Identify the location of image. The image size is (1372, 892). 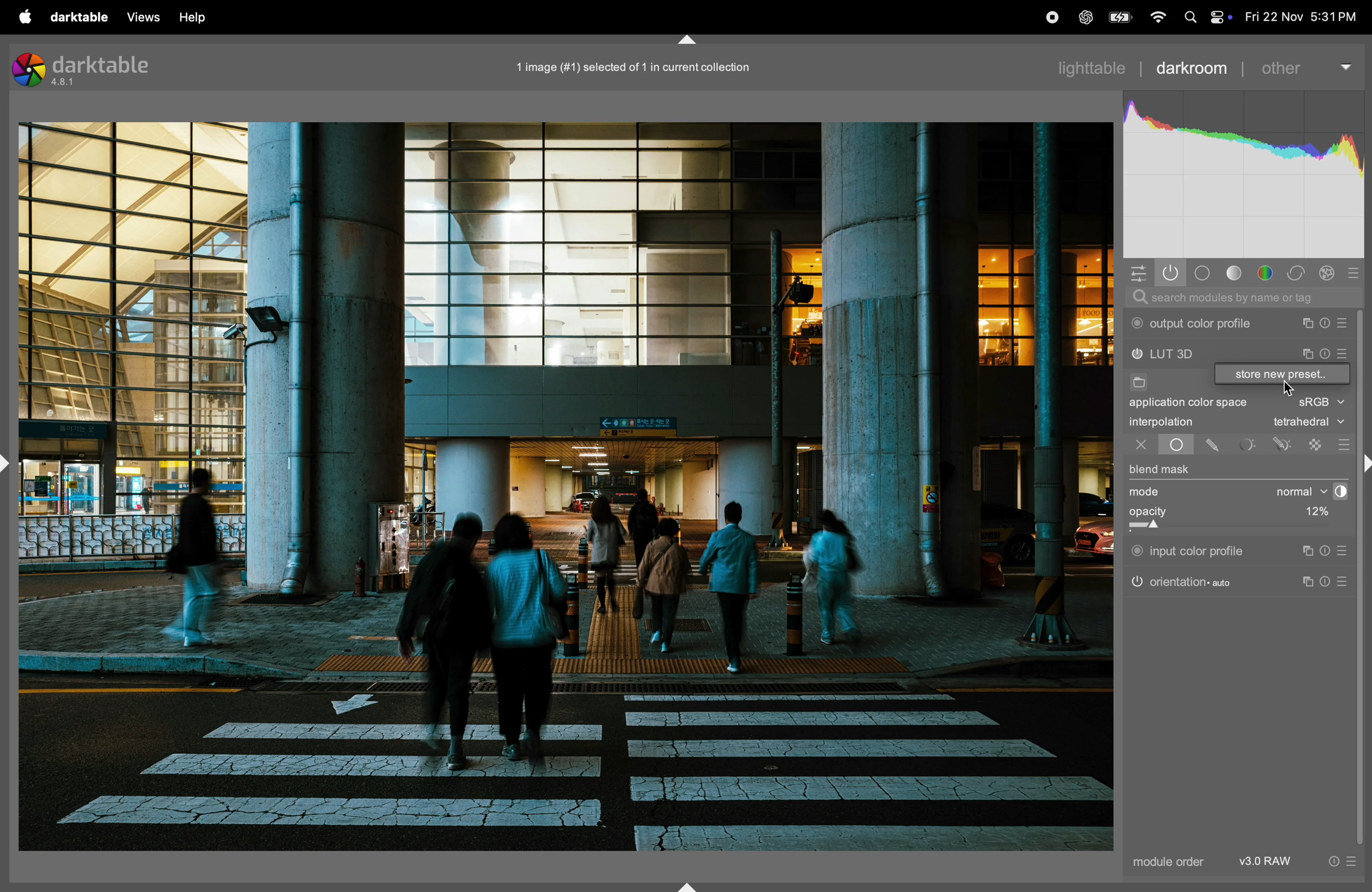
(566, 486).